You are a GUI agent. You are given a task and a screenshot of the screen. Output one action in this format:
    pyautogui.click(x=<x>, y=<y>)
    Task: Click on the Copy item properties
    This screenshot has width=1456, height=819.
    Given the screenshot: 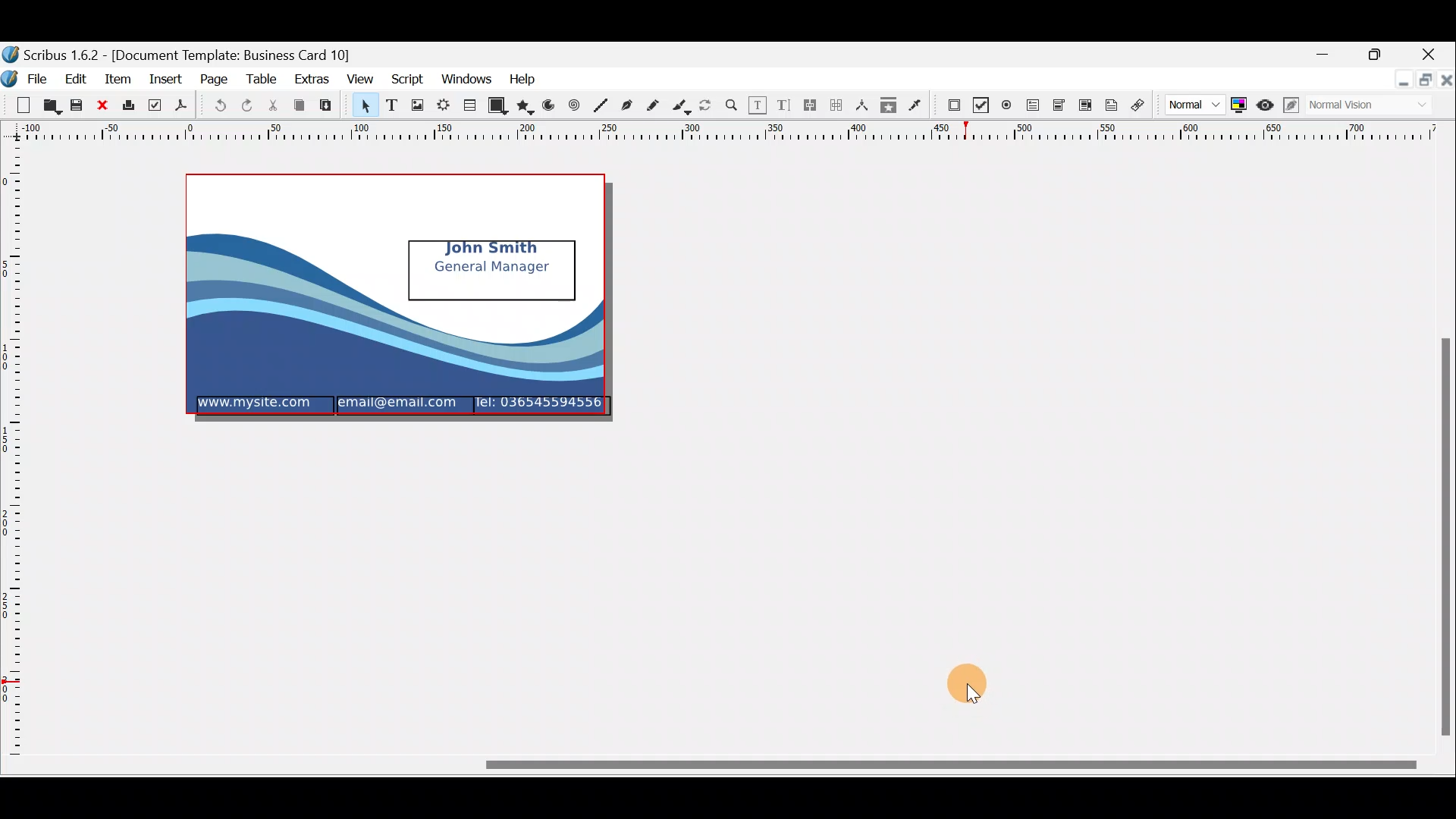 What is the action you would take?
    pyautogui.click(x=889, y=104)
    